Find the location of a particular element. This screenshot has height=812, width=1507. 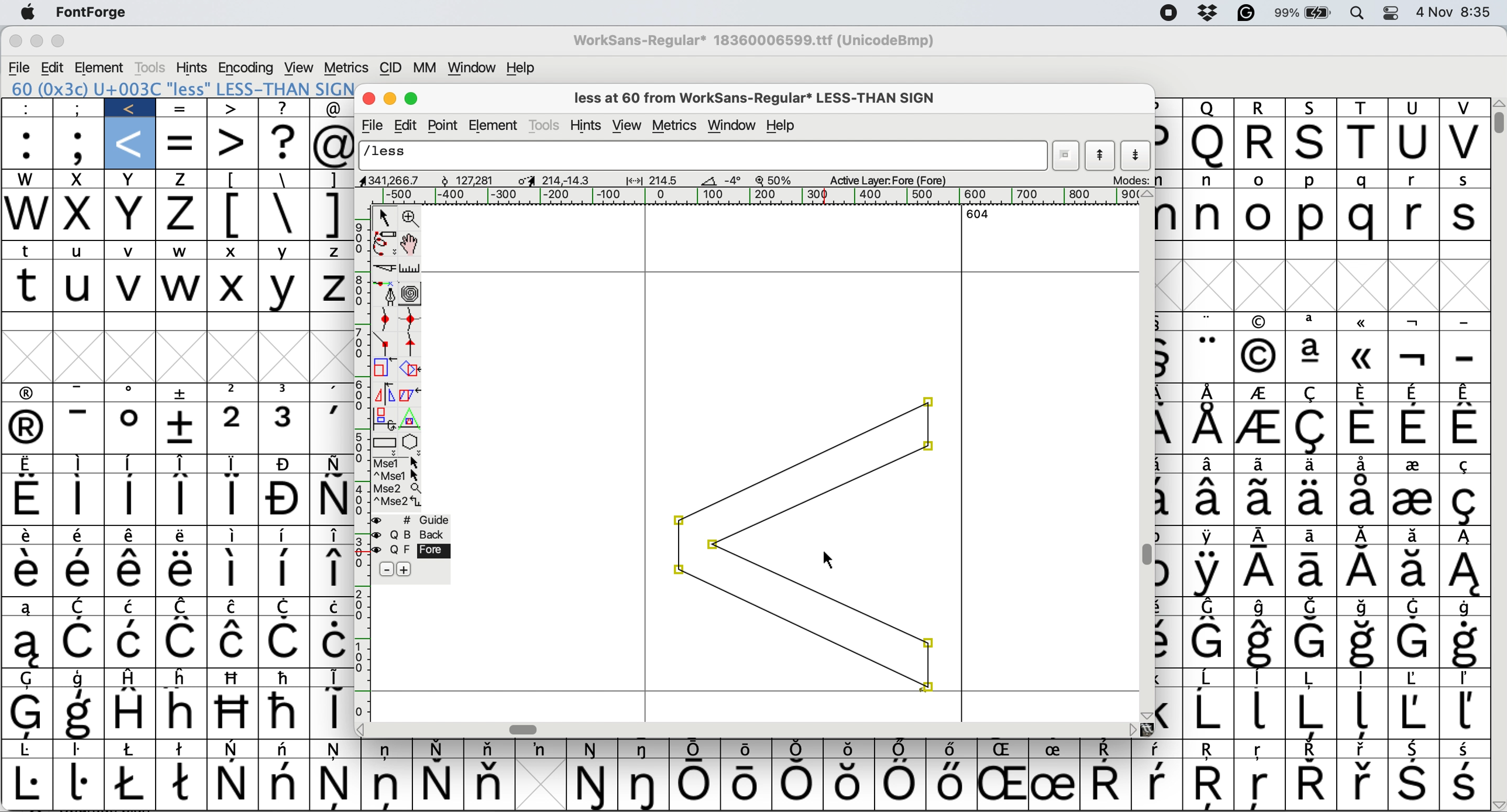

Symbol is located at coordinates (129, 711).